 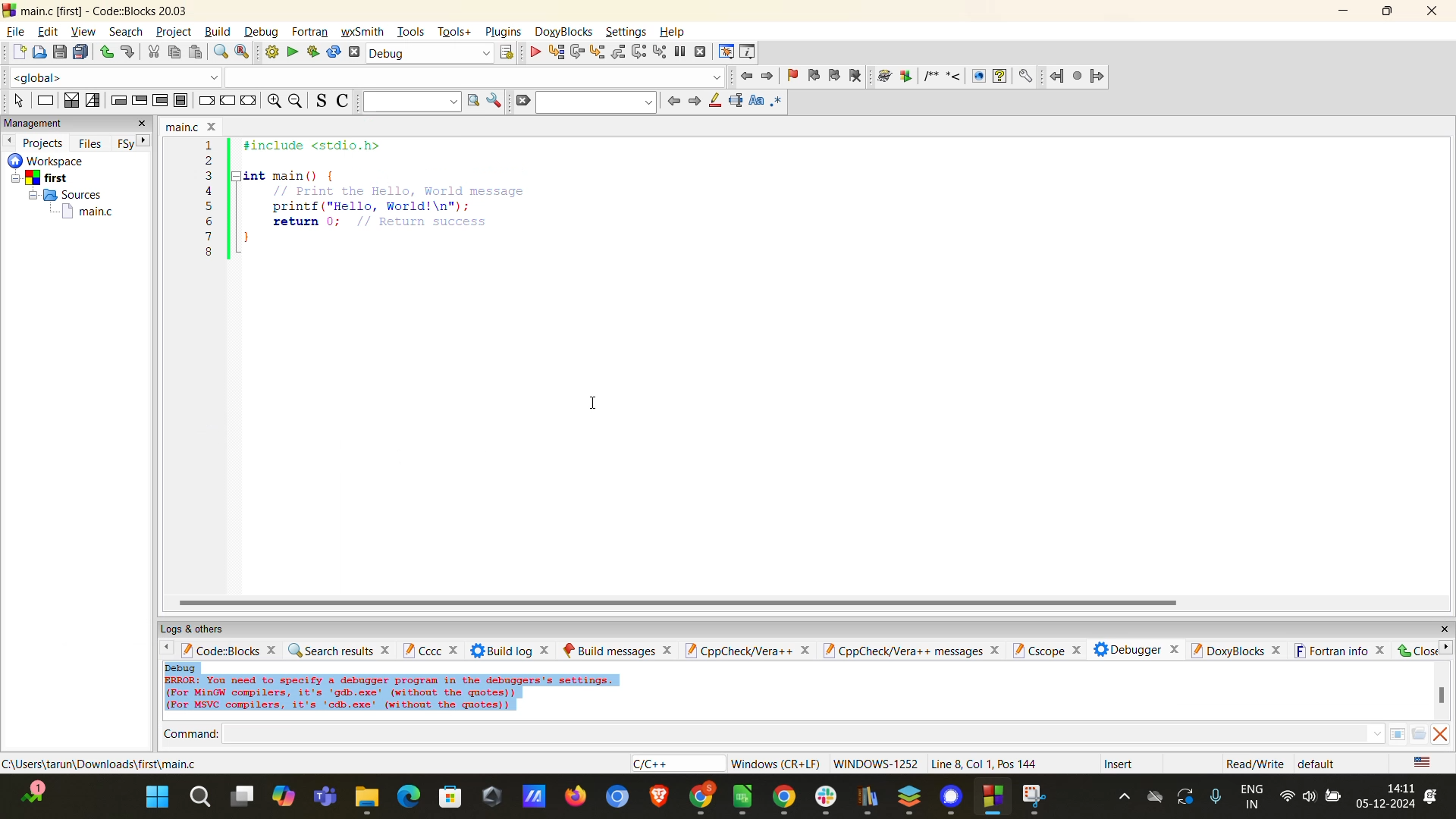 What do you see at coordinates (858, 78) in the screenshot?
I see `clear bookmarks` at bounding box center [858, 78].